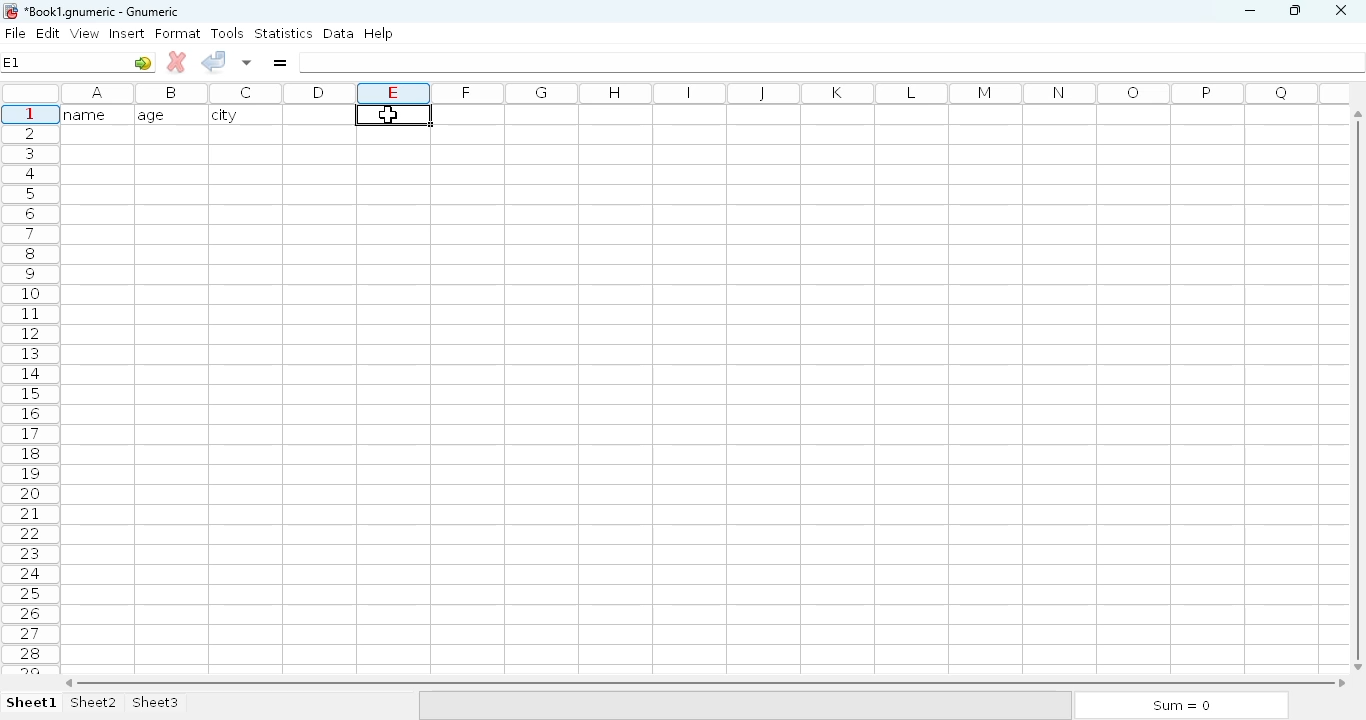 The width and height of the screenshot is (1366, 720). I want to click on sheet1, so click(32, 703).